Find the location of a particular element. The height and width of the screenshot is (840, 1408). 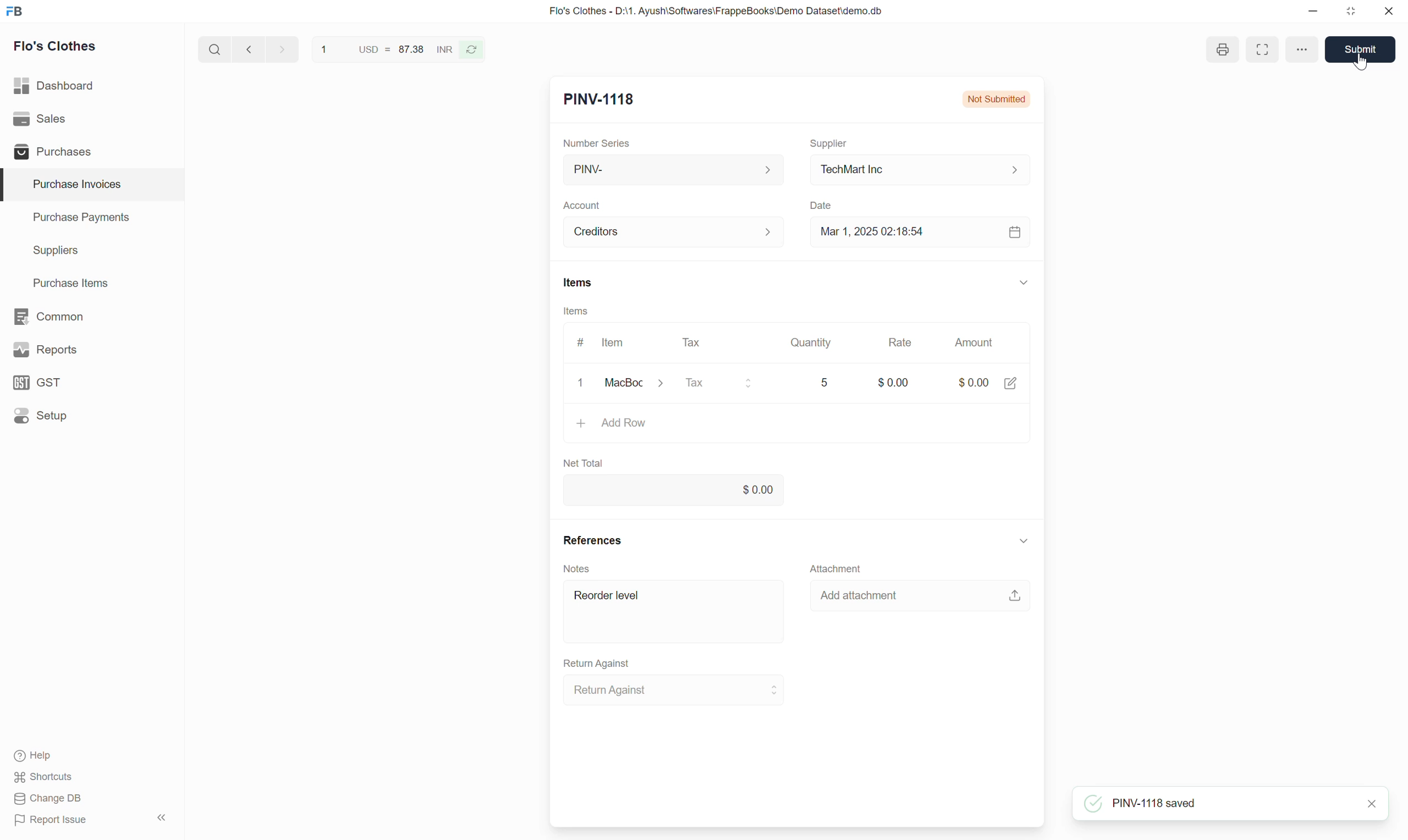

$0.00 is located at coordinates (988, 379).